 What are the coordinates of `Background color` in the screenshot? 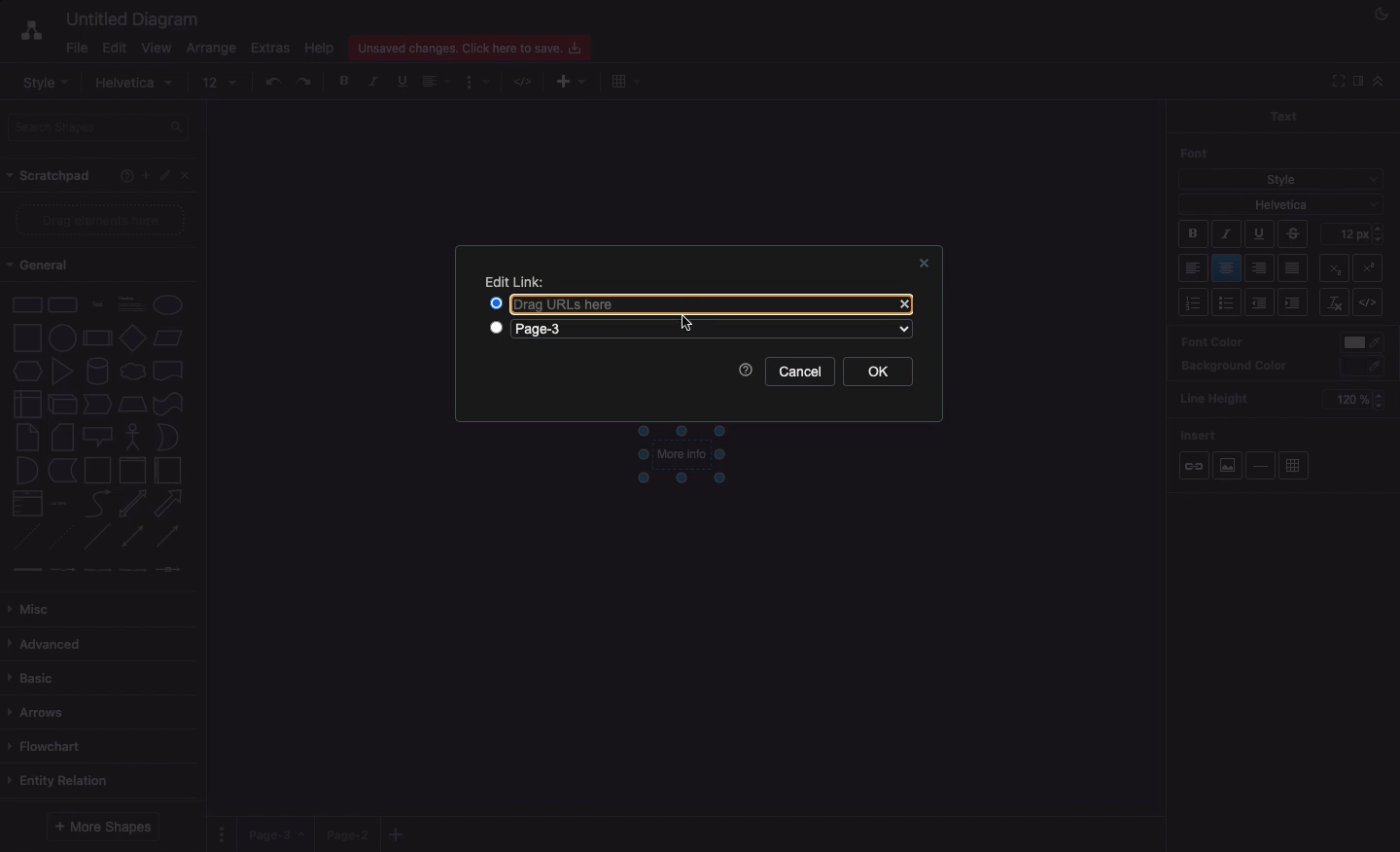 It's located at (1235, 367).